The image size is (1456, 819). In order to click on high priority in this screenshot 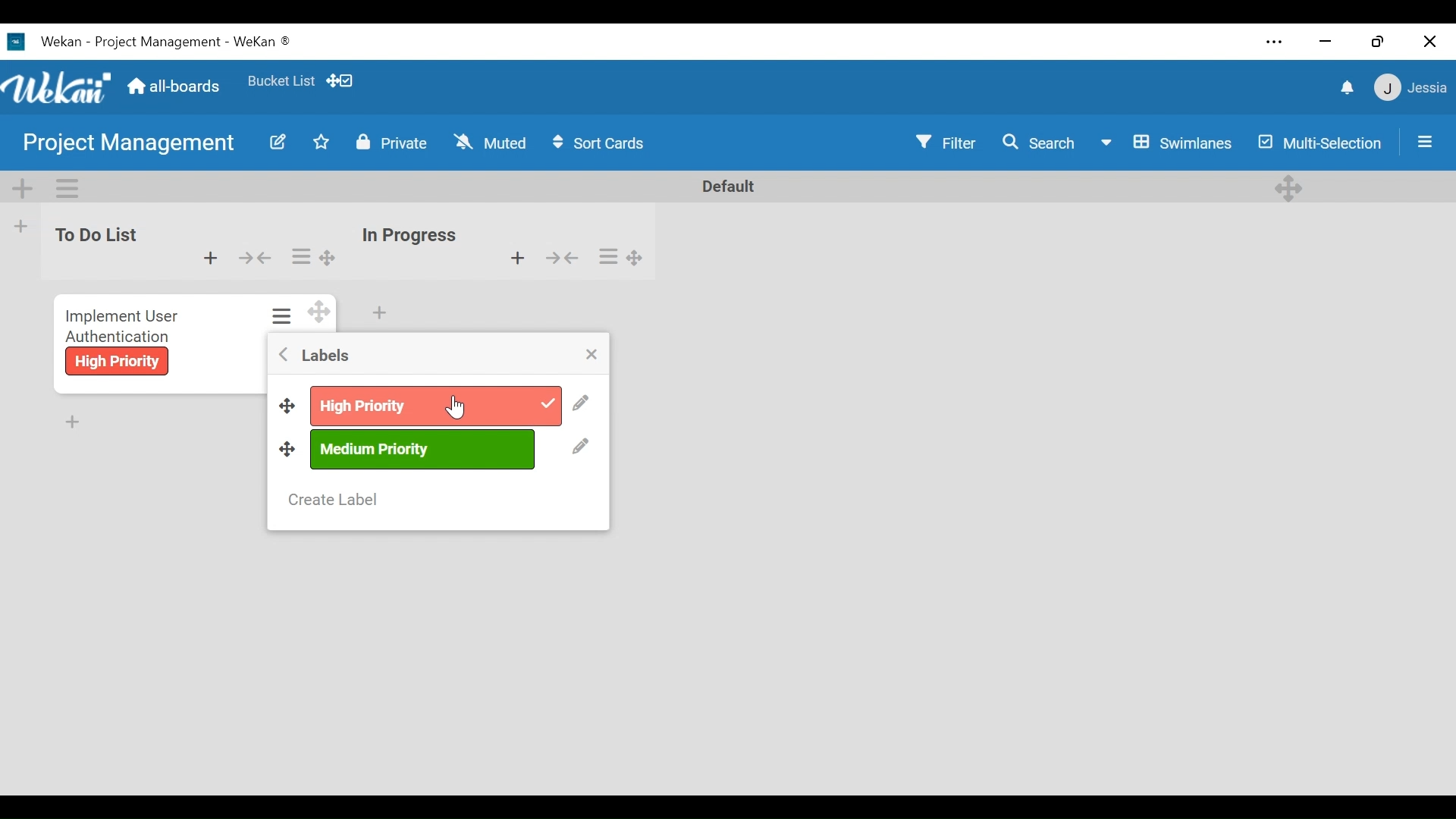, I will do `click(118, 362)`.